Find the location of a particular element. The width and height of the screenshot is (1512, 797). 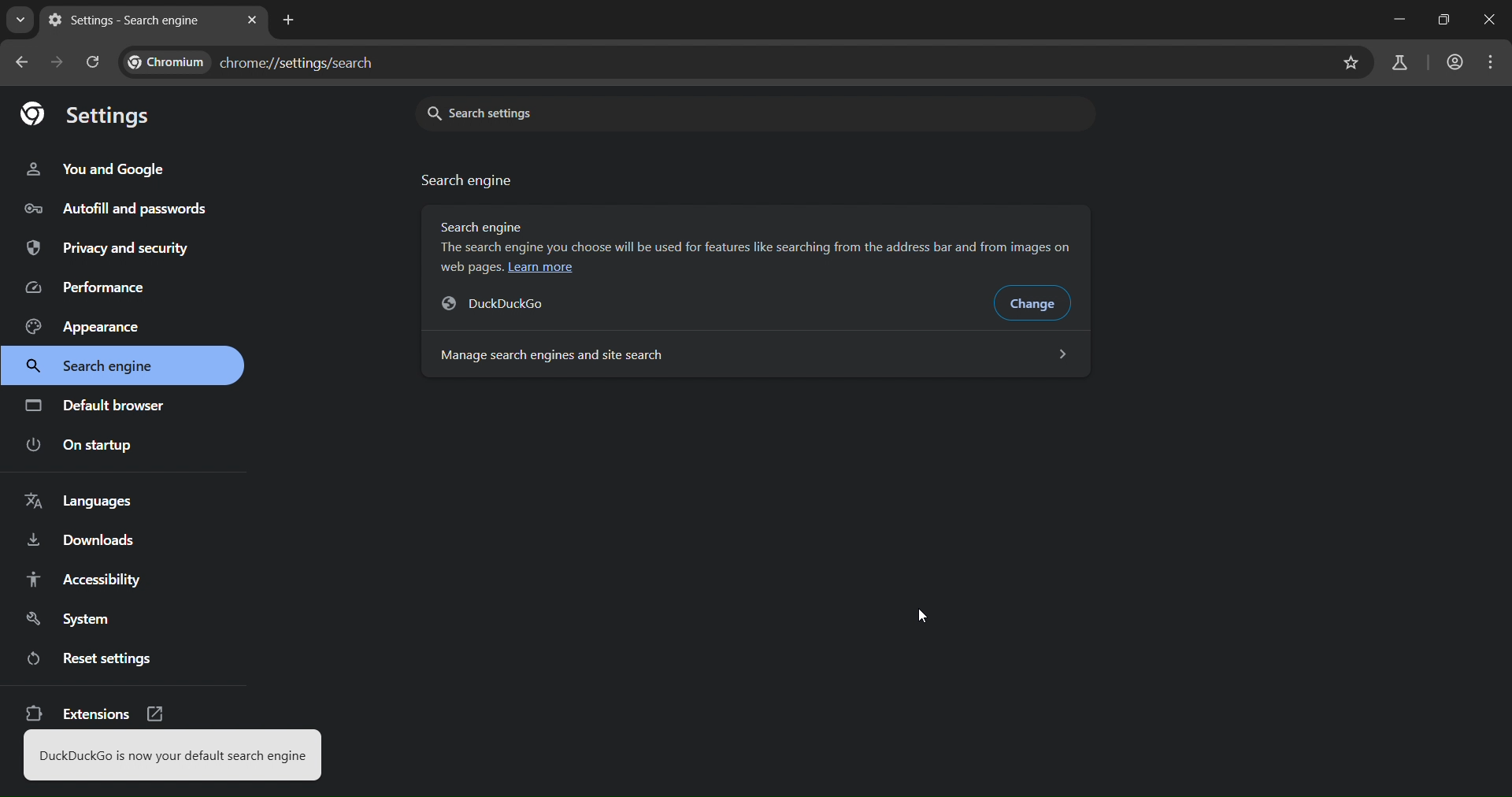

apppearance is located at coordinates (94, 325).